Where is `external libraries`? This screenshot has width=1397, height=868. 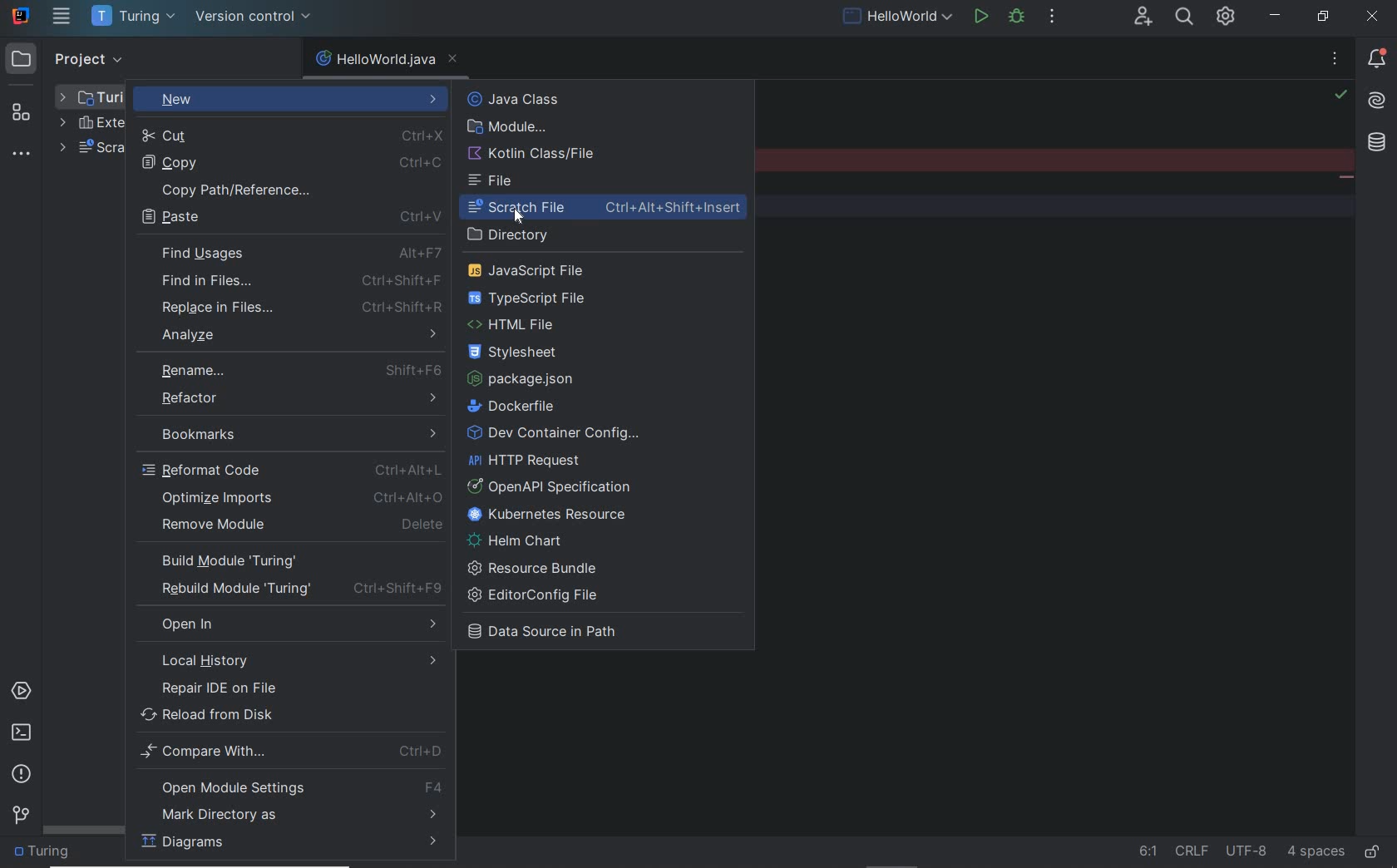 external libraries is located at coordinates (91, 123).